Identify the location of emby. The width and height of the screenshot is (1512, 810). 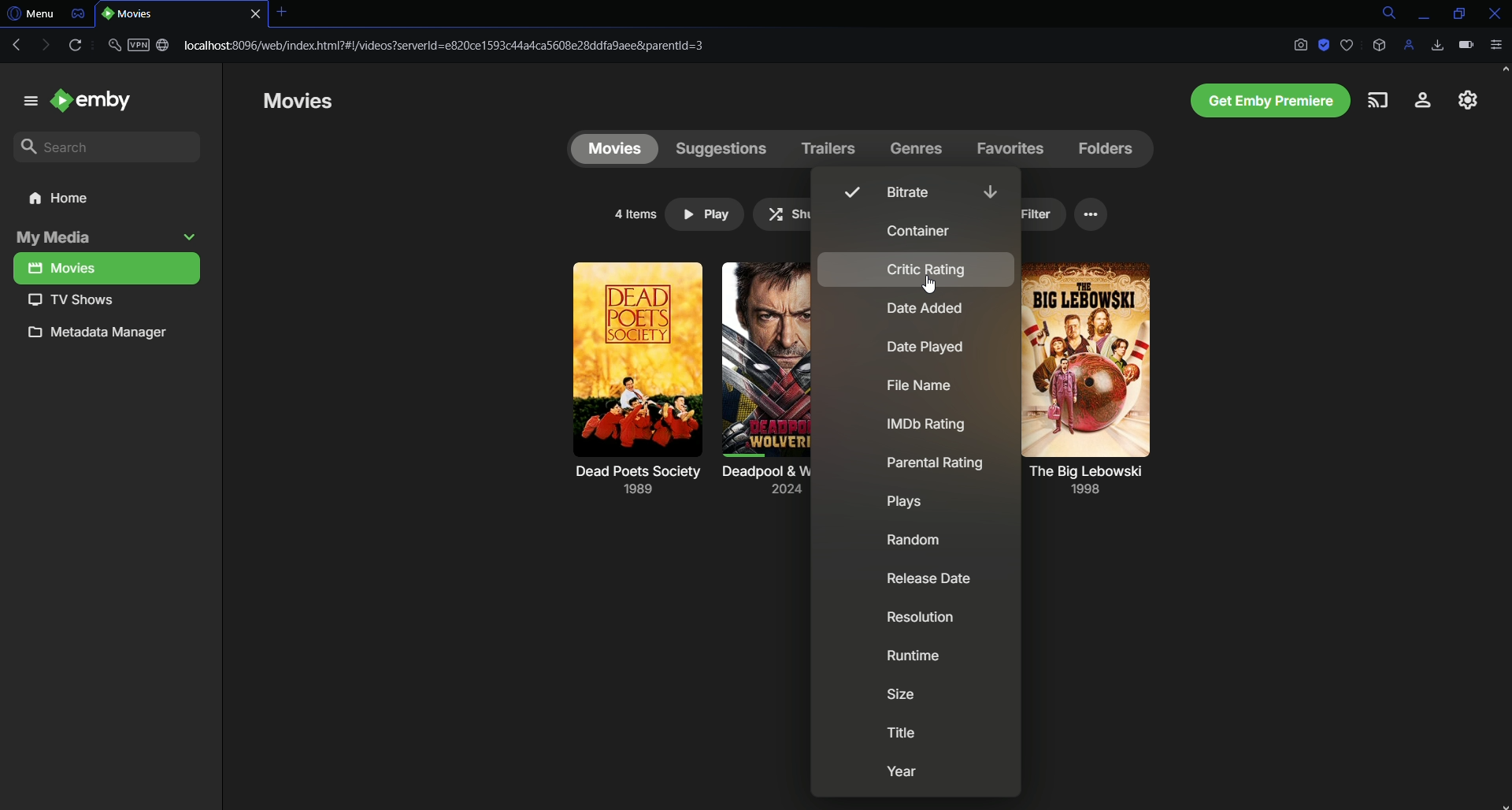
(100, 98).